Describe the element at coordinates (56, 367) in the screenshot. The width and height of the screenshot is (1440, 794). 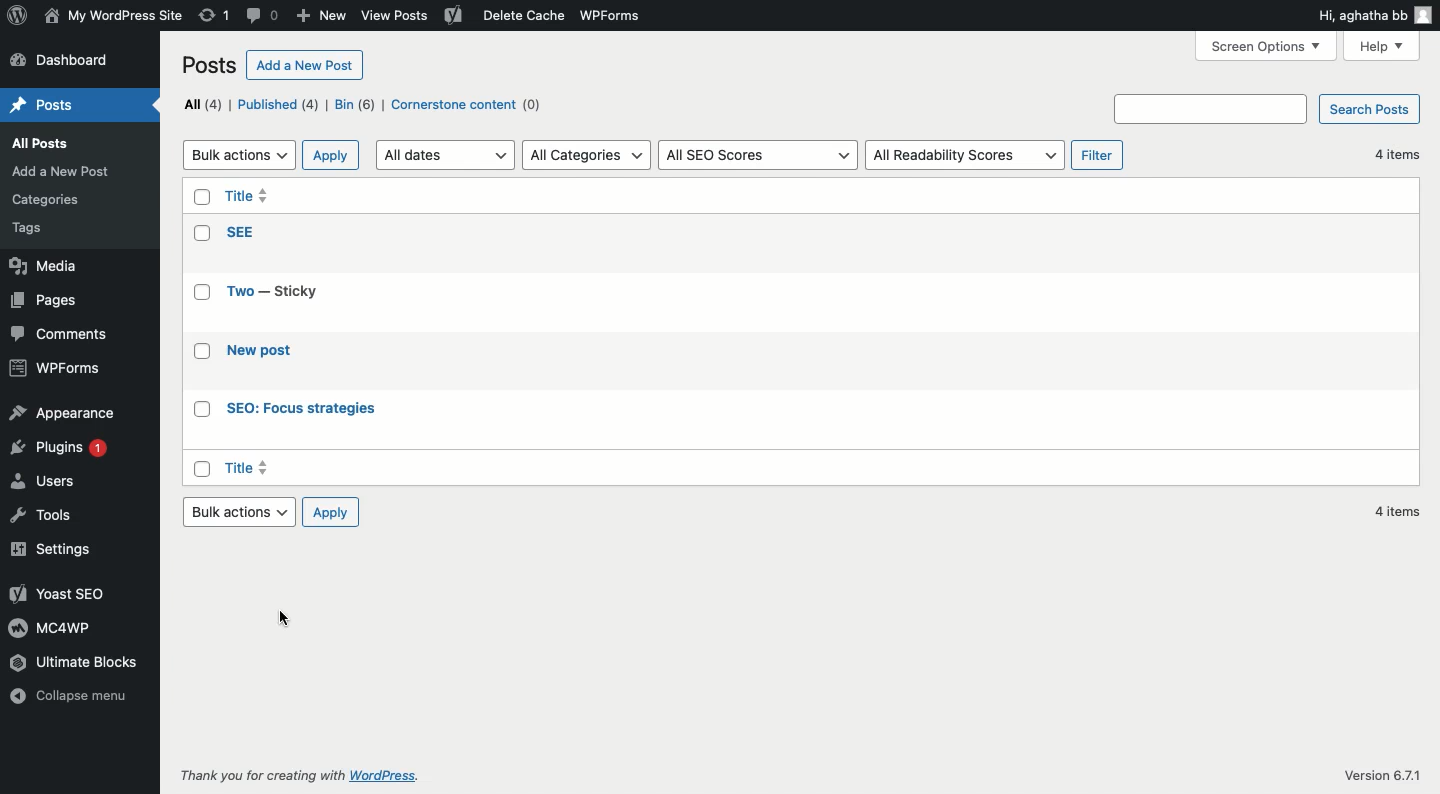
I see `WPForms` at that location.